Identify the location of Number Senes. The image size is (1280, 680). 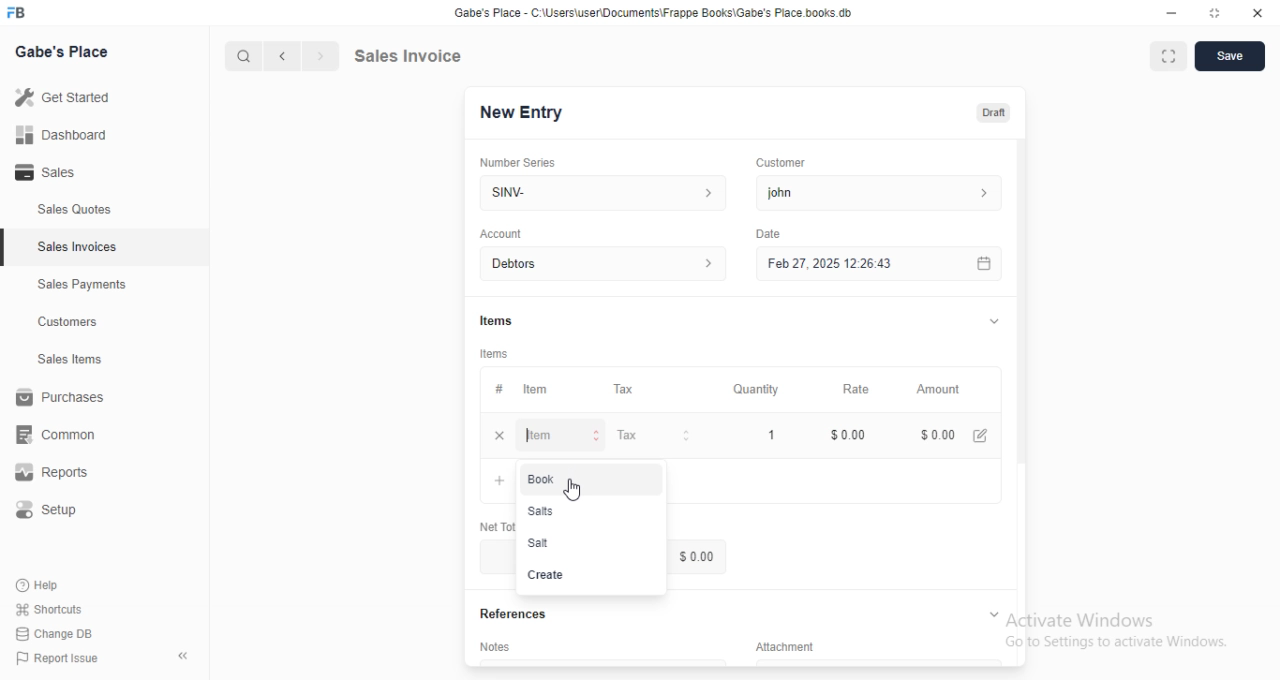
(525, 160).